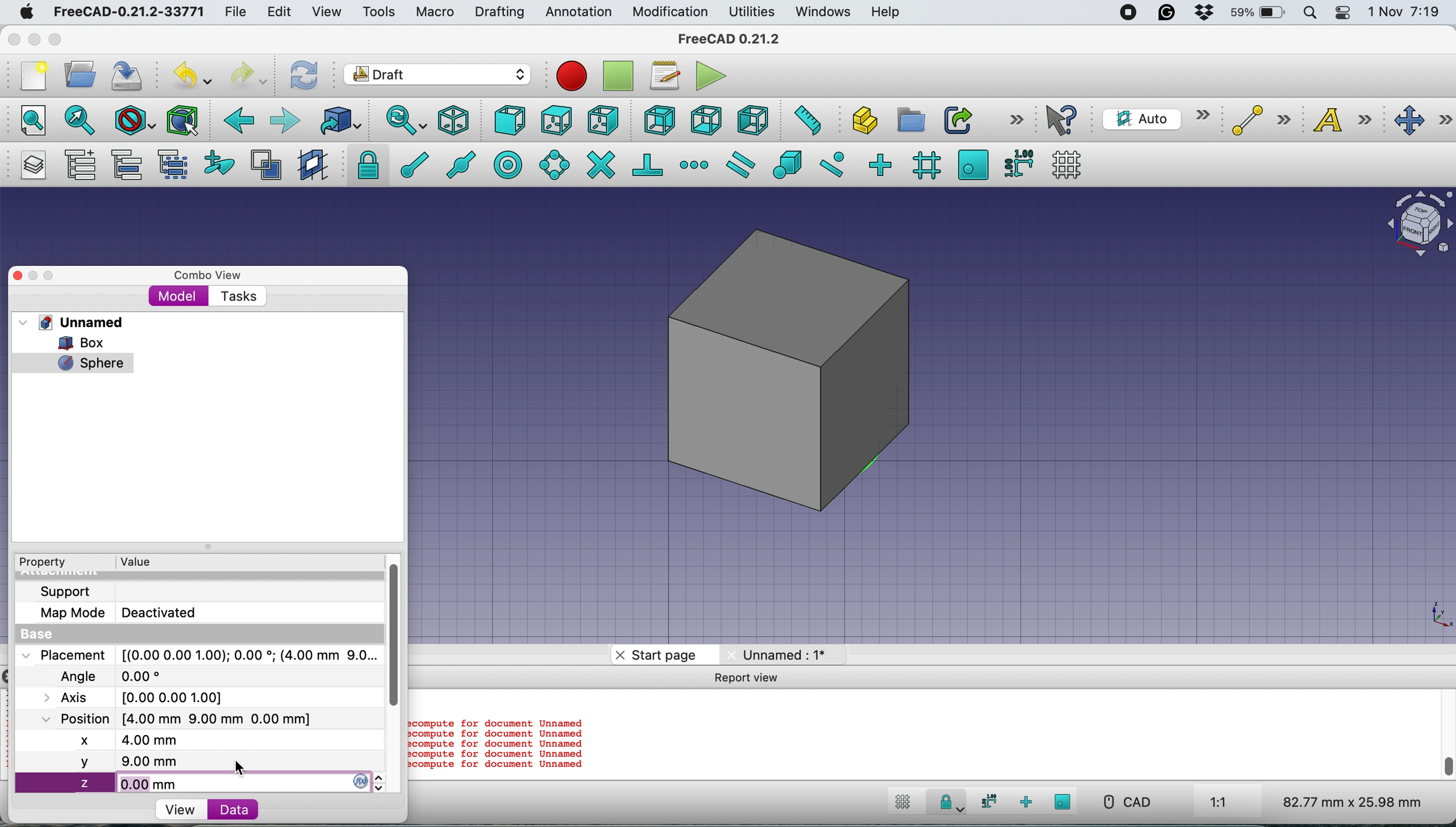  What do you see at coordinates (1308, 14) in the screenshot?
I see `spotlight search` at bounding box center [1308, 14].